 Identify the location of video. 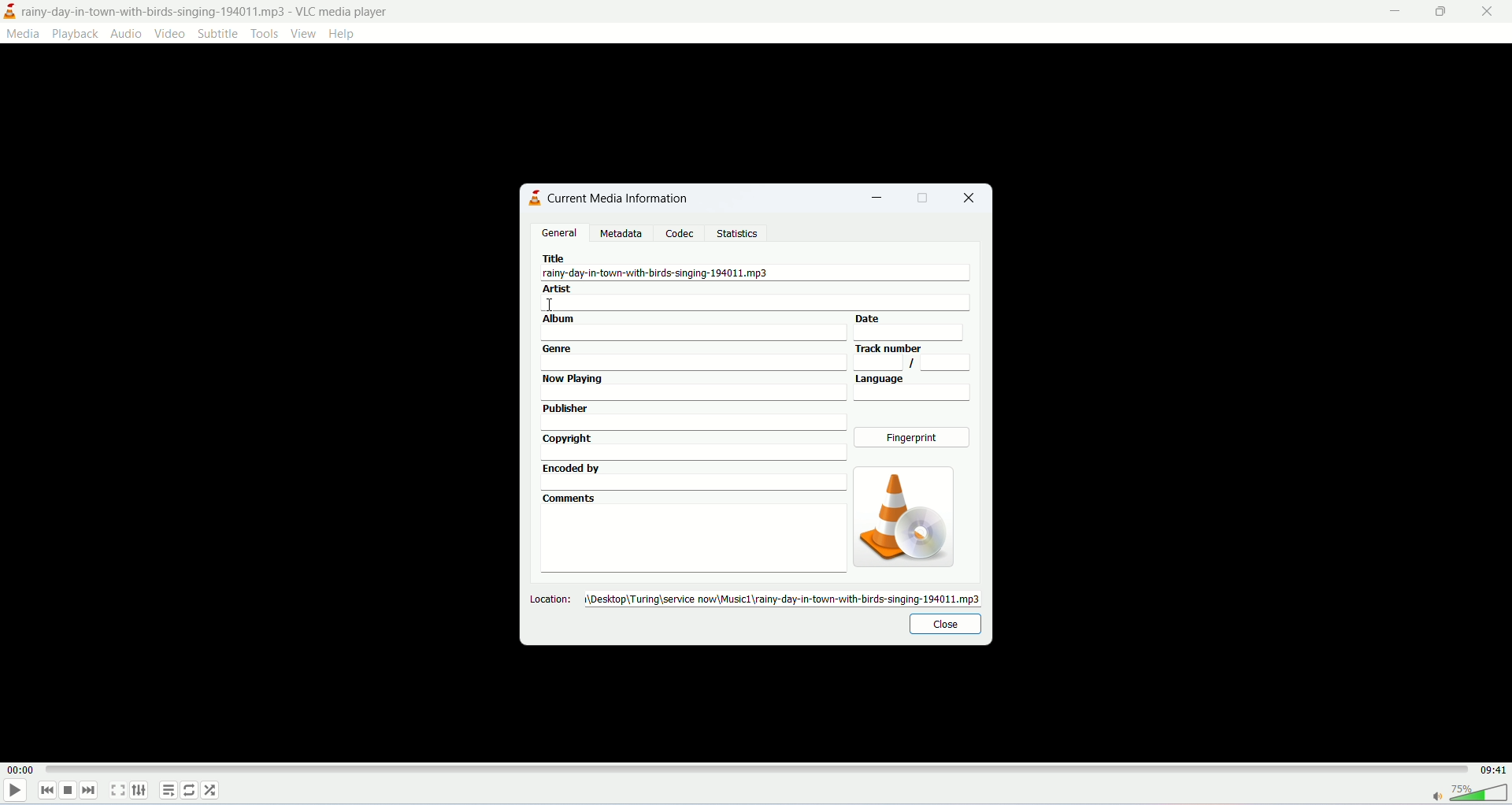
(171, 34).